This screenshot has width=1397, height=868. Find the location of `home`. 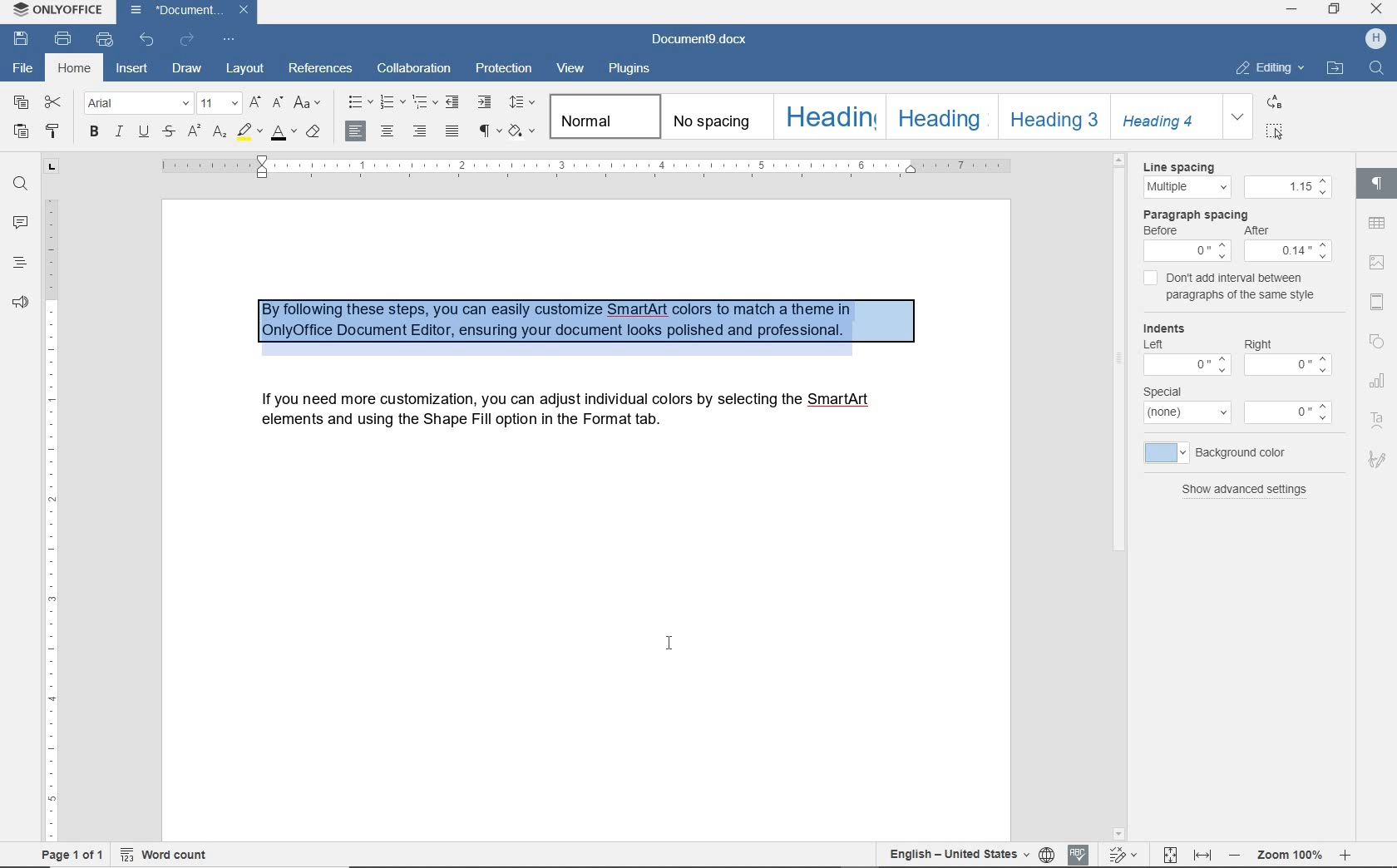

home is located at coordinates (72, 67).